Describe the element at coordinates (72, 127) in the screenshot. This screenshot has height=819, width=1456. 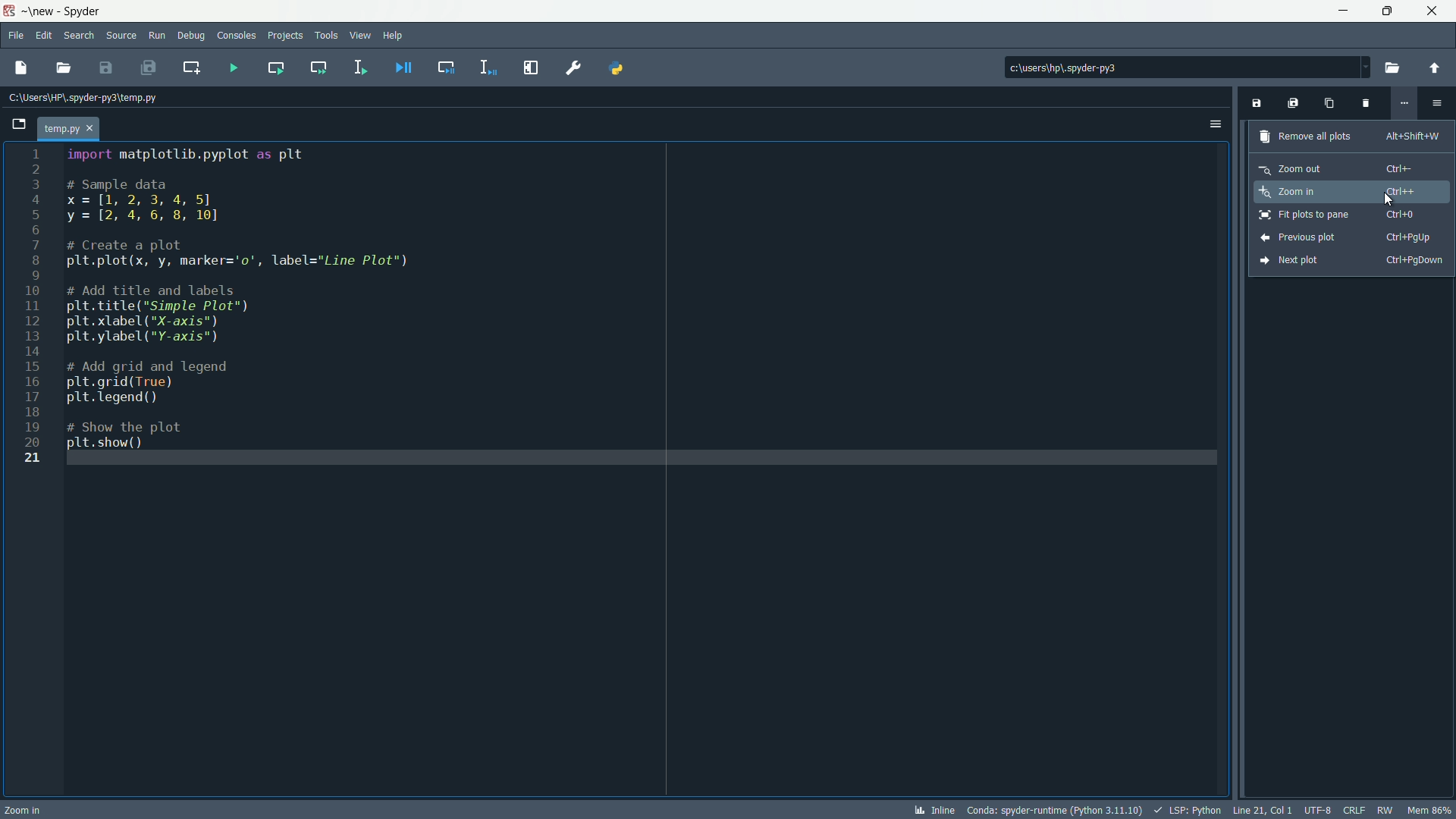
I see `file name` at that location.